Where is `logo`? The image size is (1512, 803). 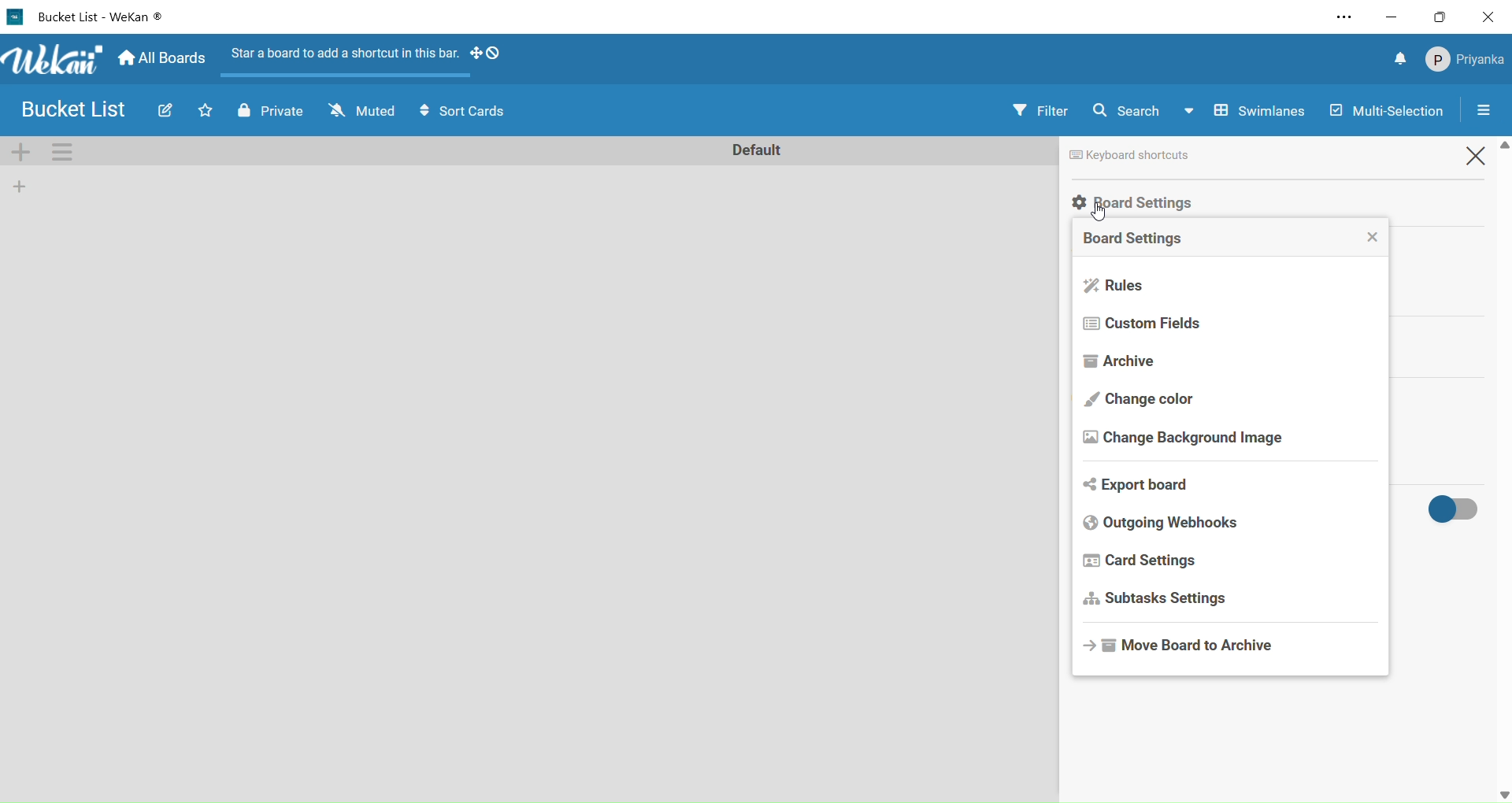 logo is located at coordinates (17, 17).